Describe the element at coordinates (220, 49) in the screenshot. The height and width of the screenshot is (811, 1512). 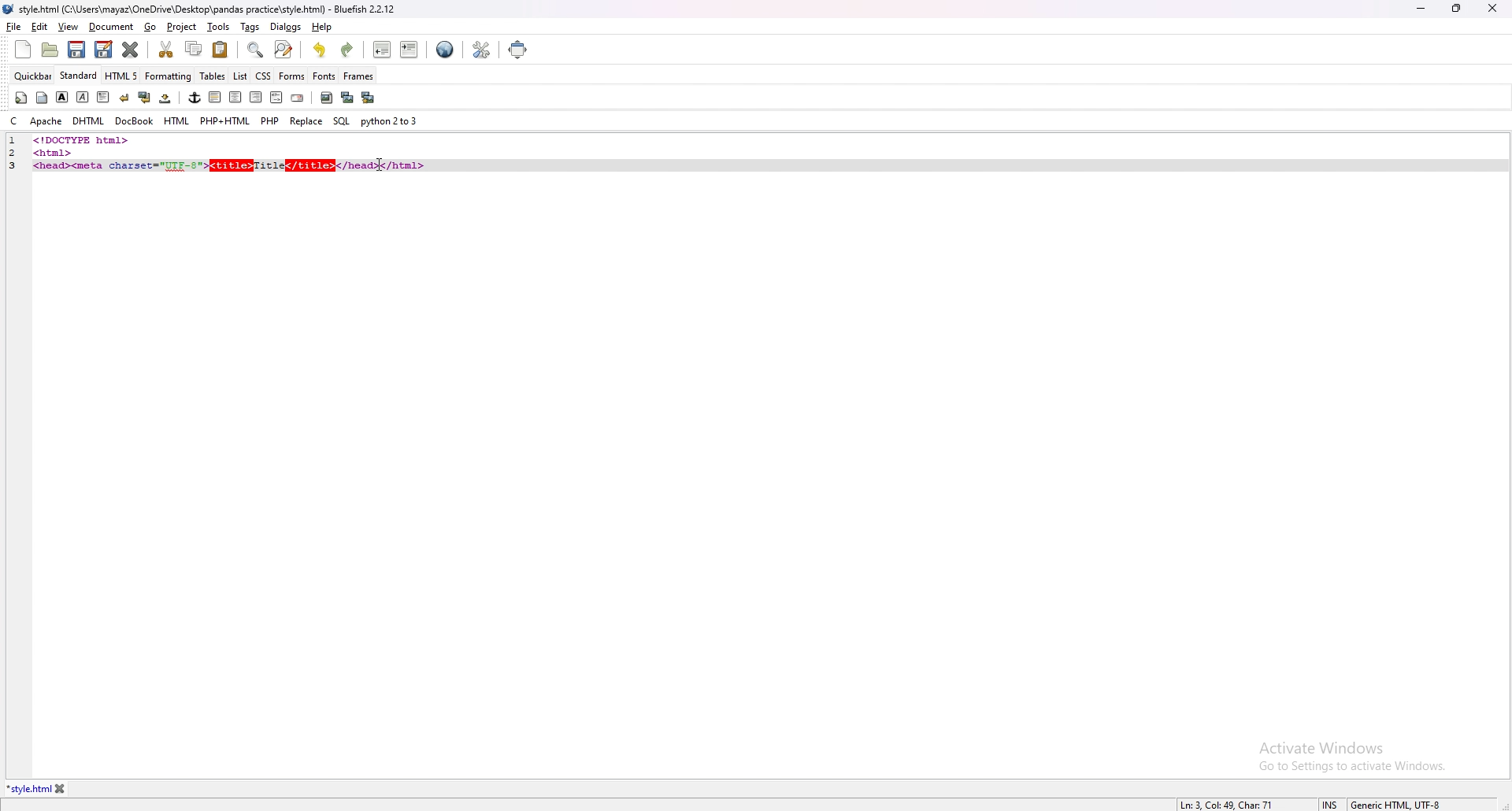
I see `paste` at that location.